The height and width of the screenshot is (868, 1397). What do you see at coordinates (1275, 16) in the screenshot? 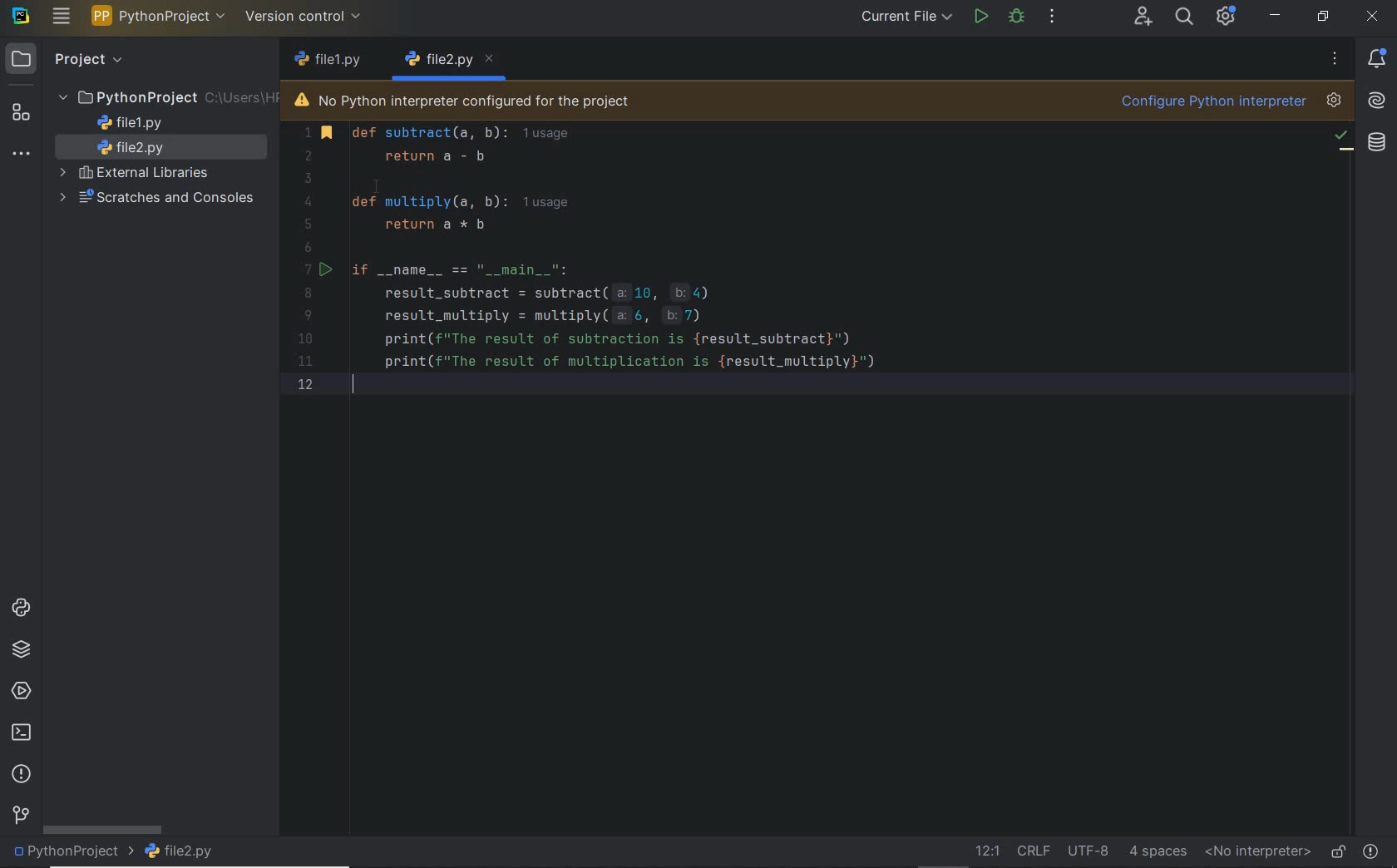
I see `minimize` at bounding box center [1275, 16].